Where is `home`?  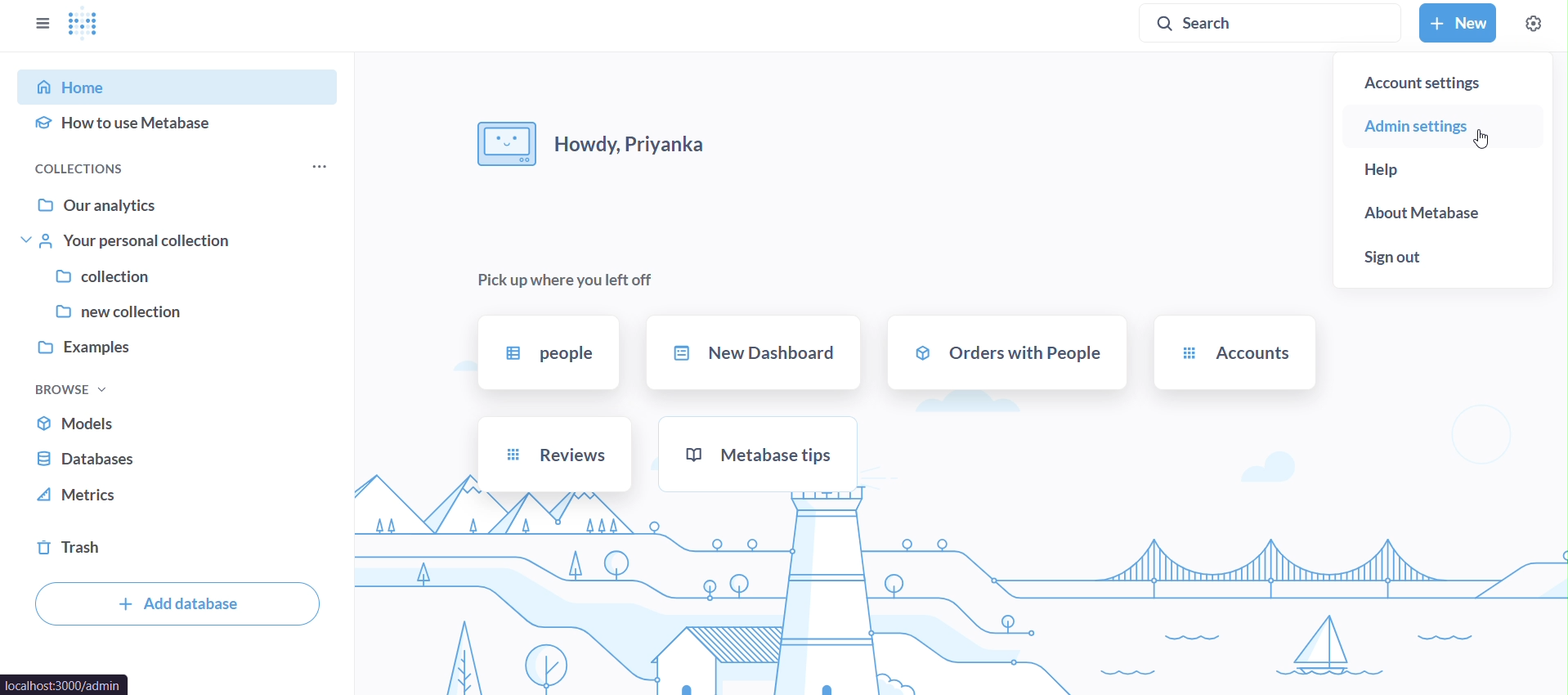 home is located at coordinates (181, 85).